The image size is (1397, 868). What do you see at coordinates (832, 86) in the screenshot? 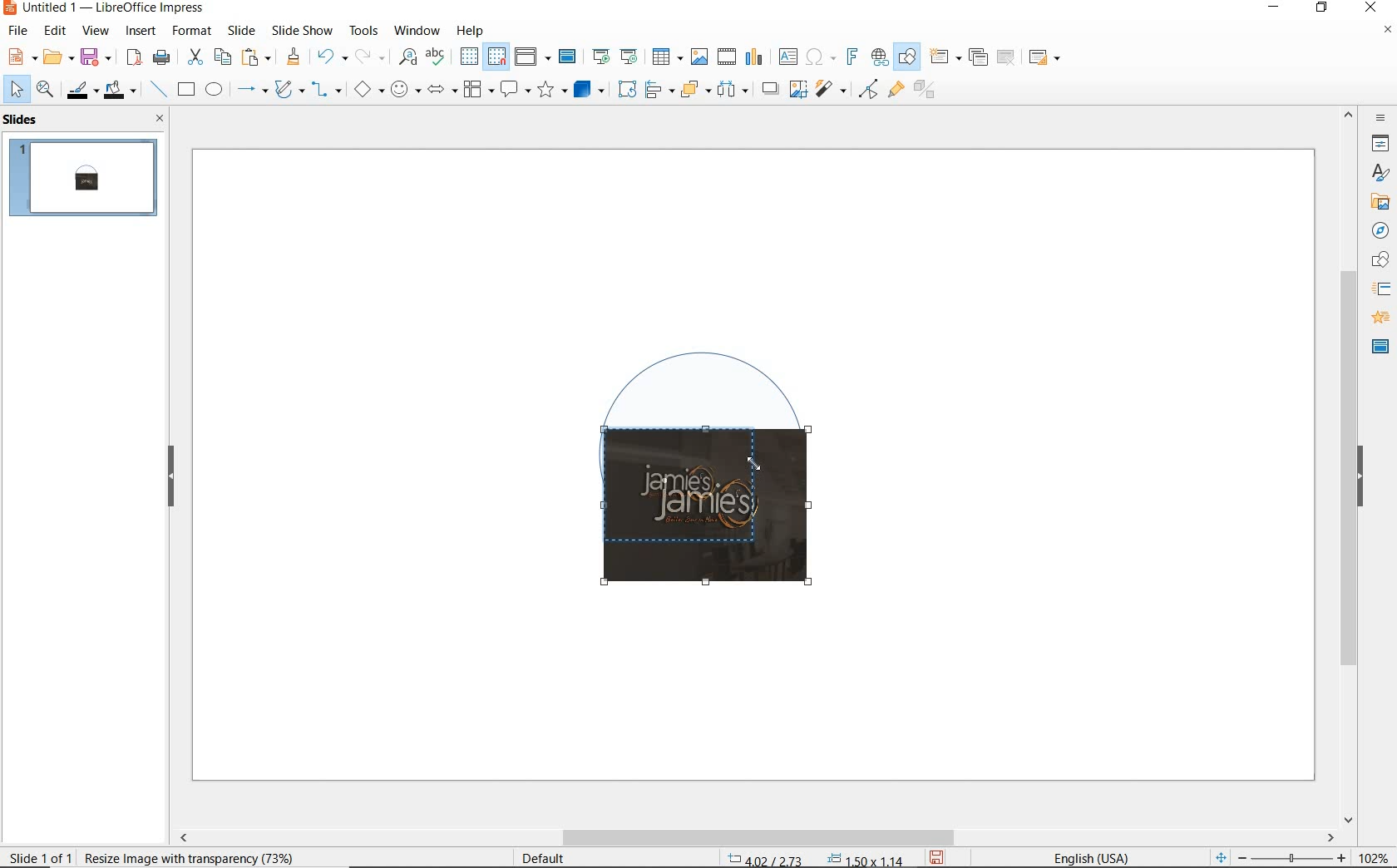
I see `filter` at bounding box center [832, 86].